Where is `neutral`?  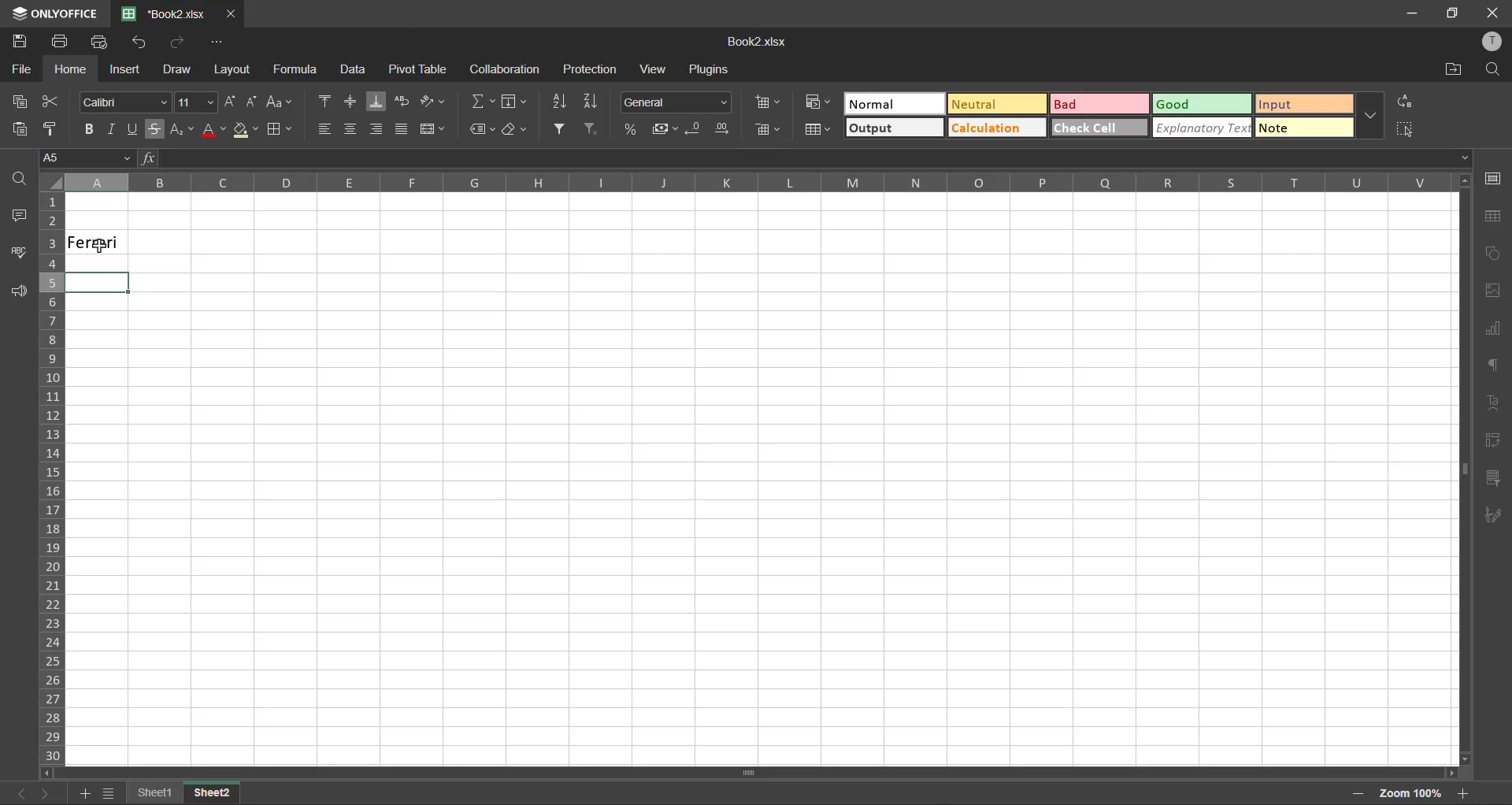
neutral is located at coordinates (998, 102).